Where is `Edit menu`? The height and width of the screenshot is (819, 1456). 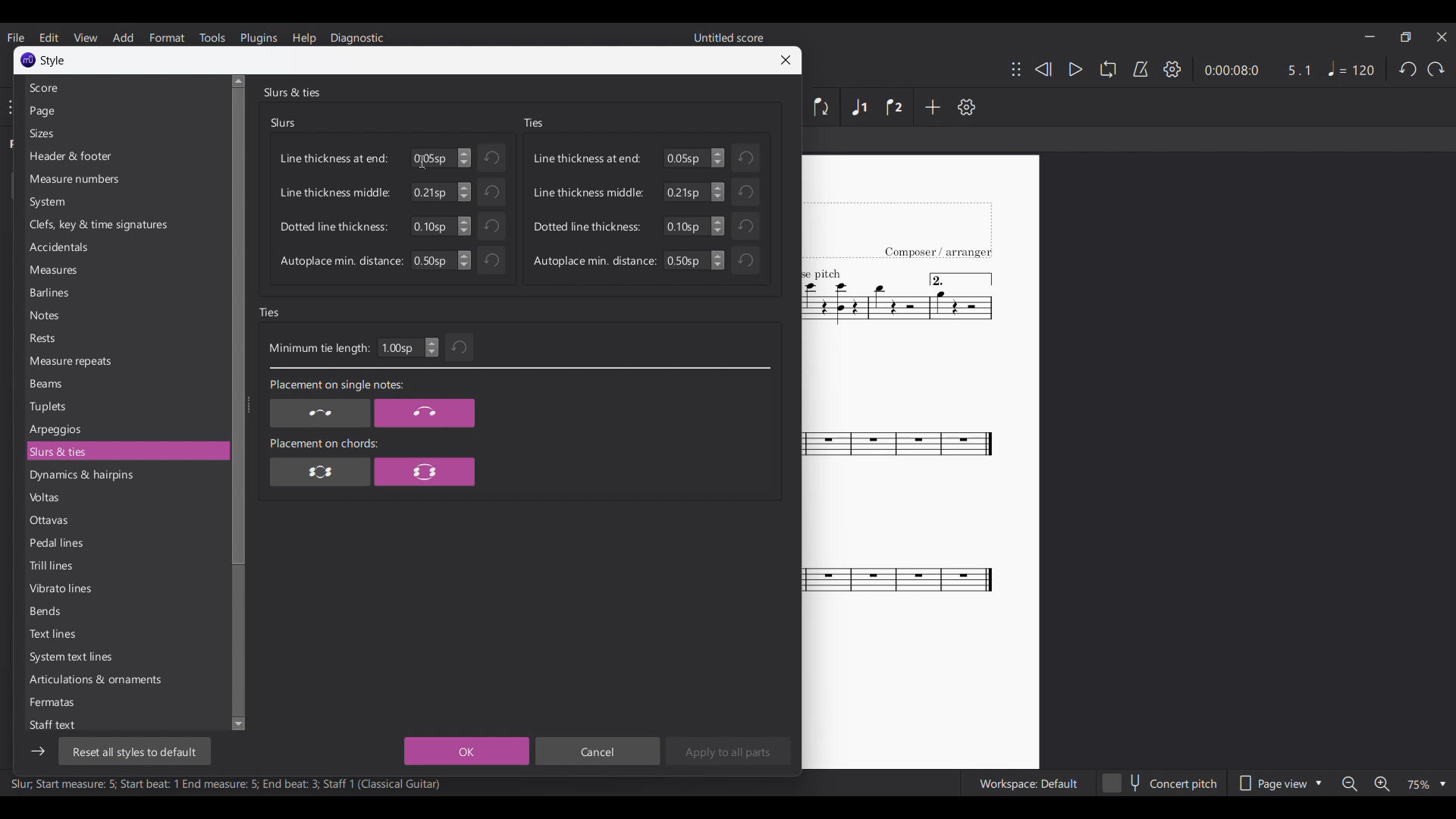
Edit menu is located at coordinates (49, 37).